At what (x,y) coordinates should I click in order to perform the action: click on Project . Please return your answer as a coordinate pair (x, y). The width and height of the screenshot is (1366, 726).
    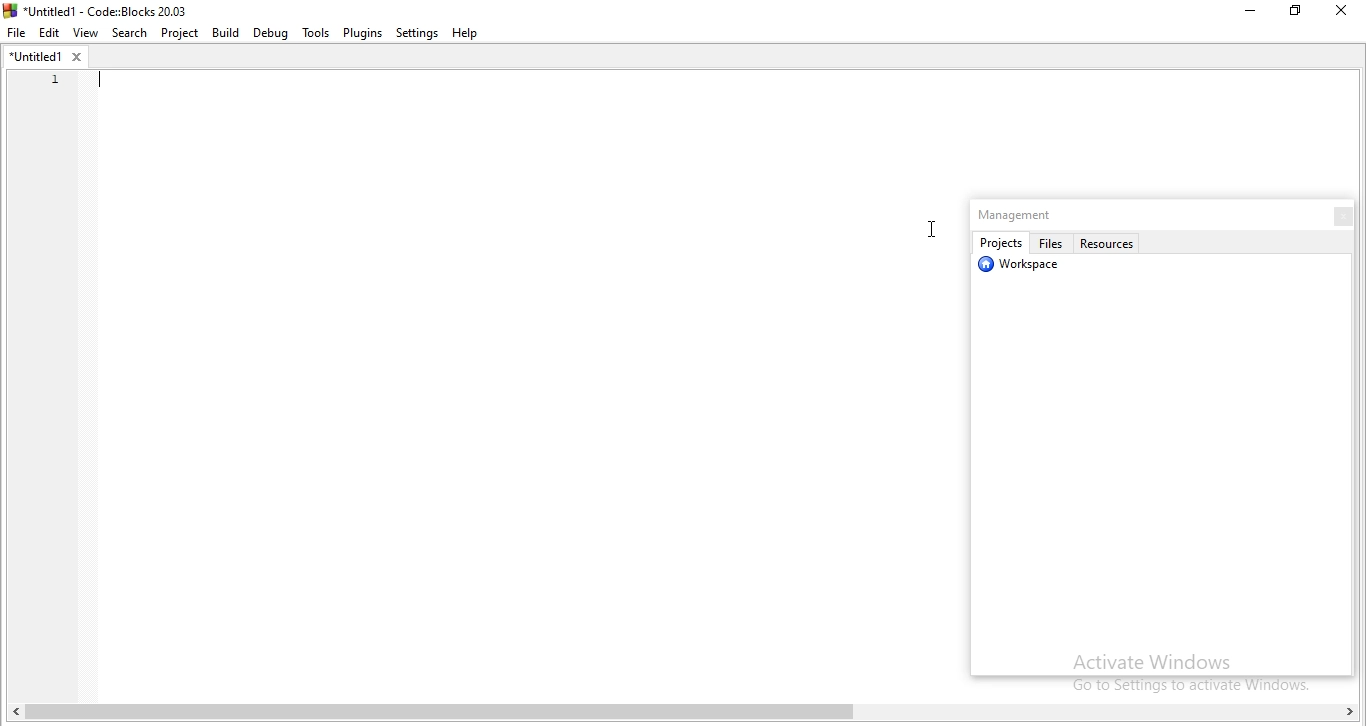
    Looking at the image, I should click on (181, 34).